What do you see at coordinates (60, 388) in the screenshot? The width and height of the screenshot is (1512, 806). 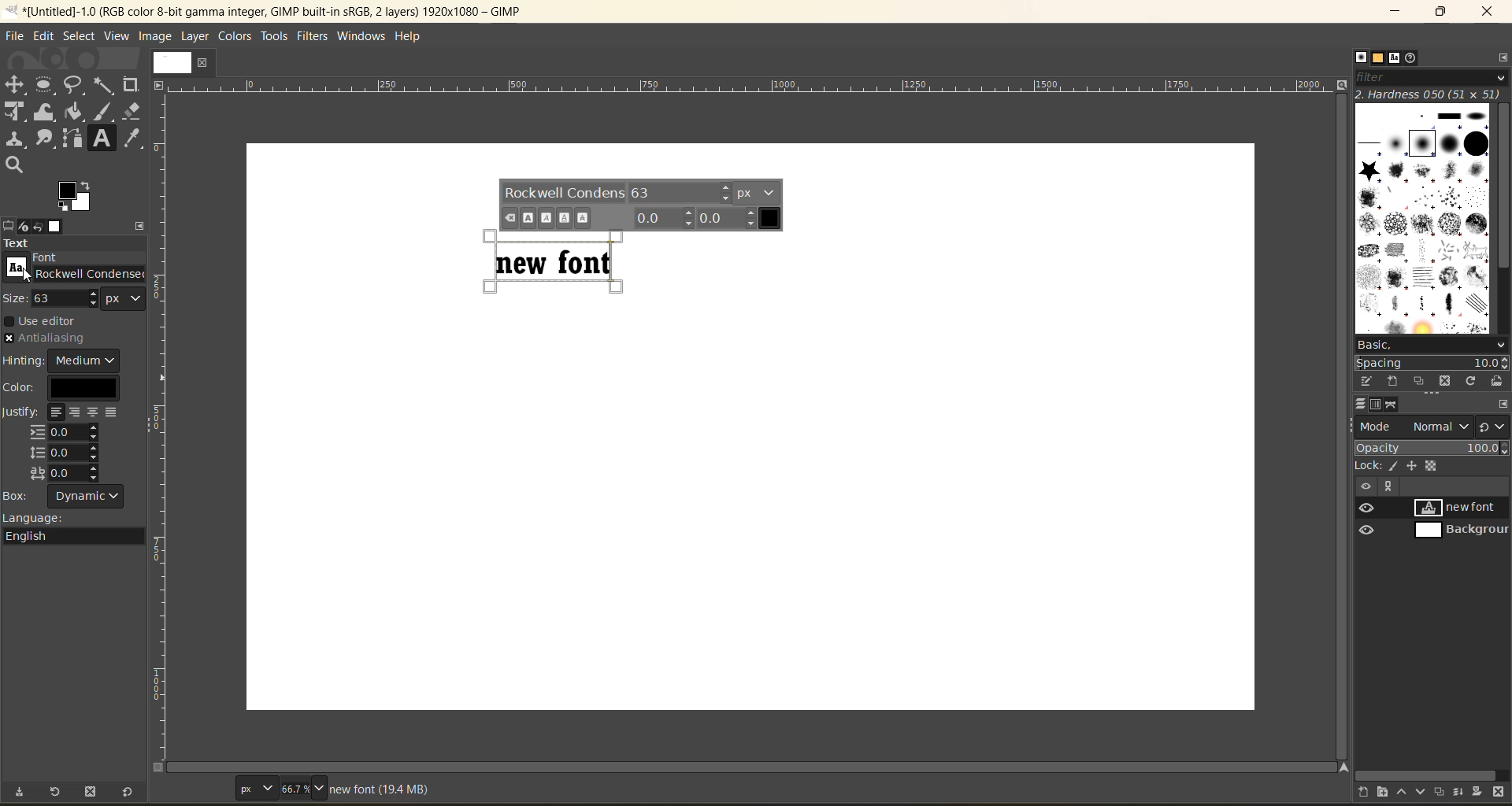 I see `color` at bounding box center [60, 388].